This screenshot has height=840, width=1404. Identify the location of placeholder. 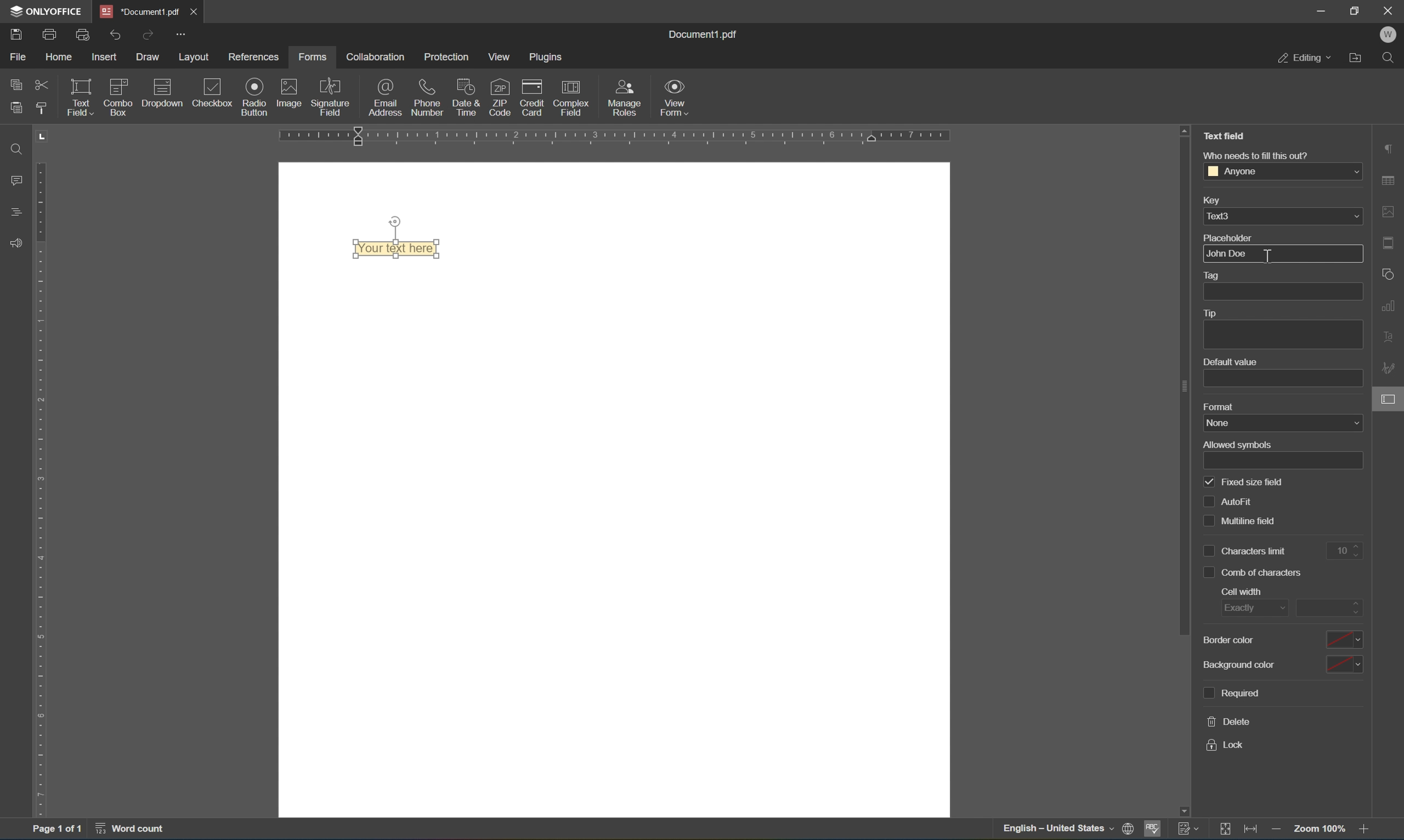
(1259, 235).